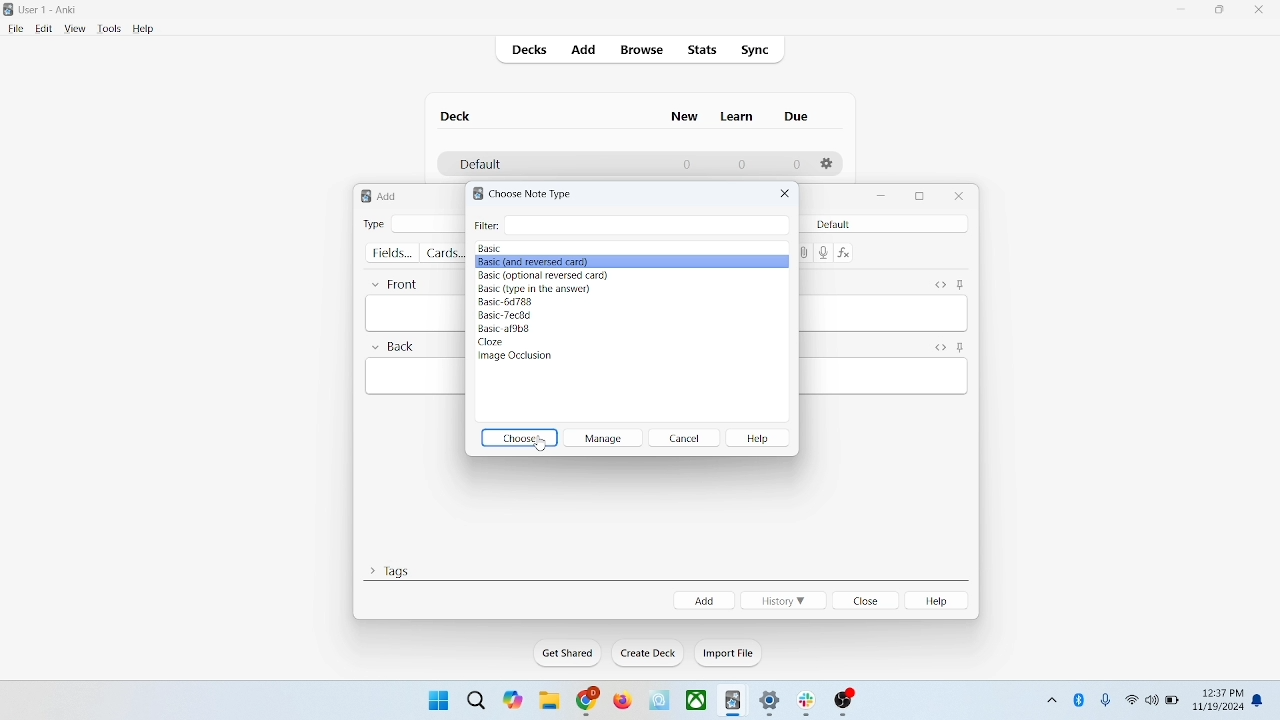 This screenshot has width=1280, height=720. I want to click on browse, so click(640, 49).